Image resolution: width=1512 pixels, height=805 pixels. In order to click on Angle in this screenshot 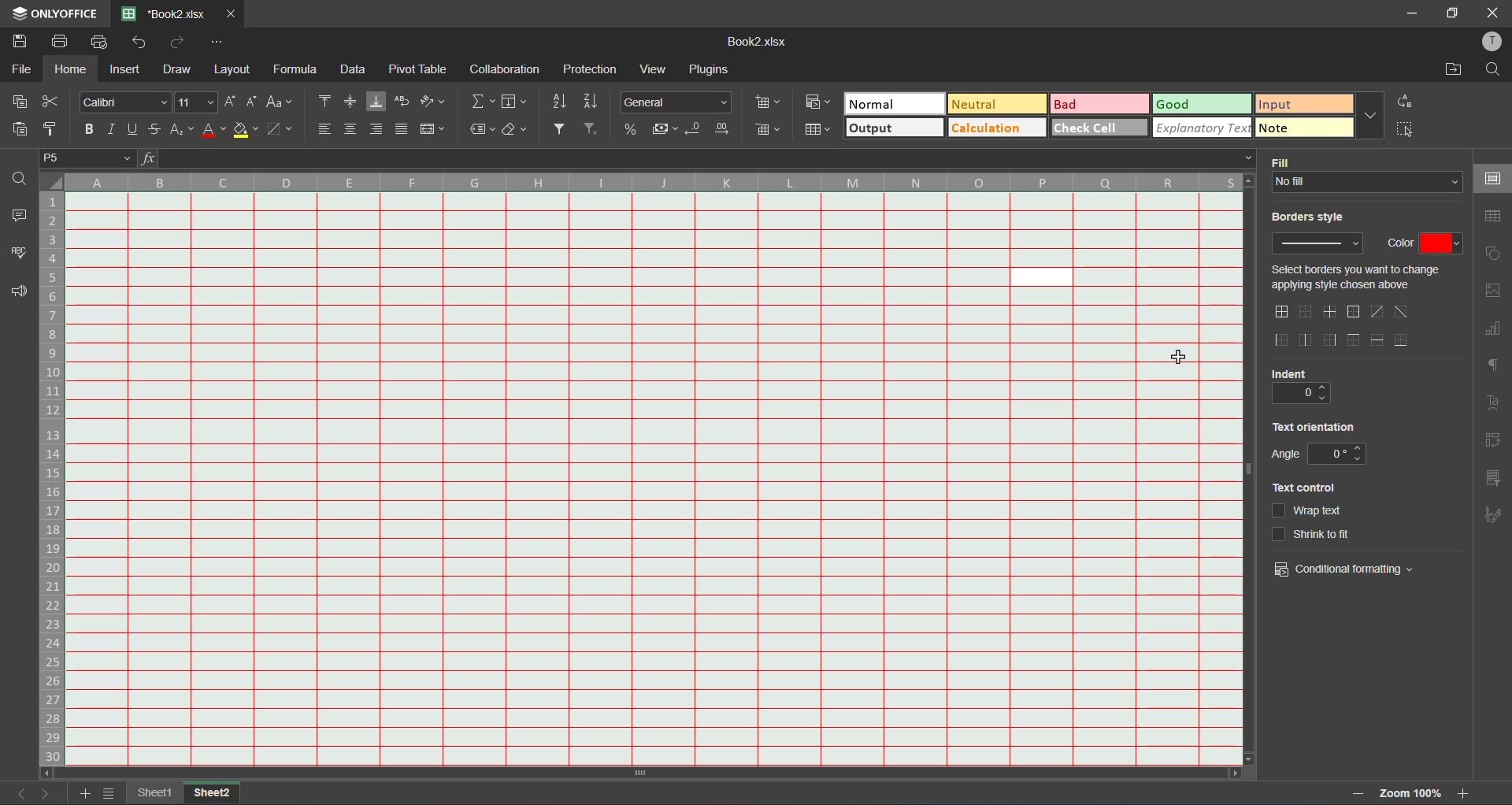, I will do `click(1286, 454)`.